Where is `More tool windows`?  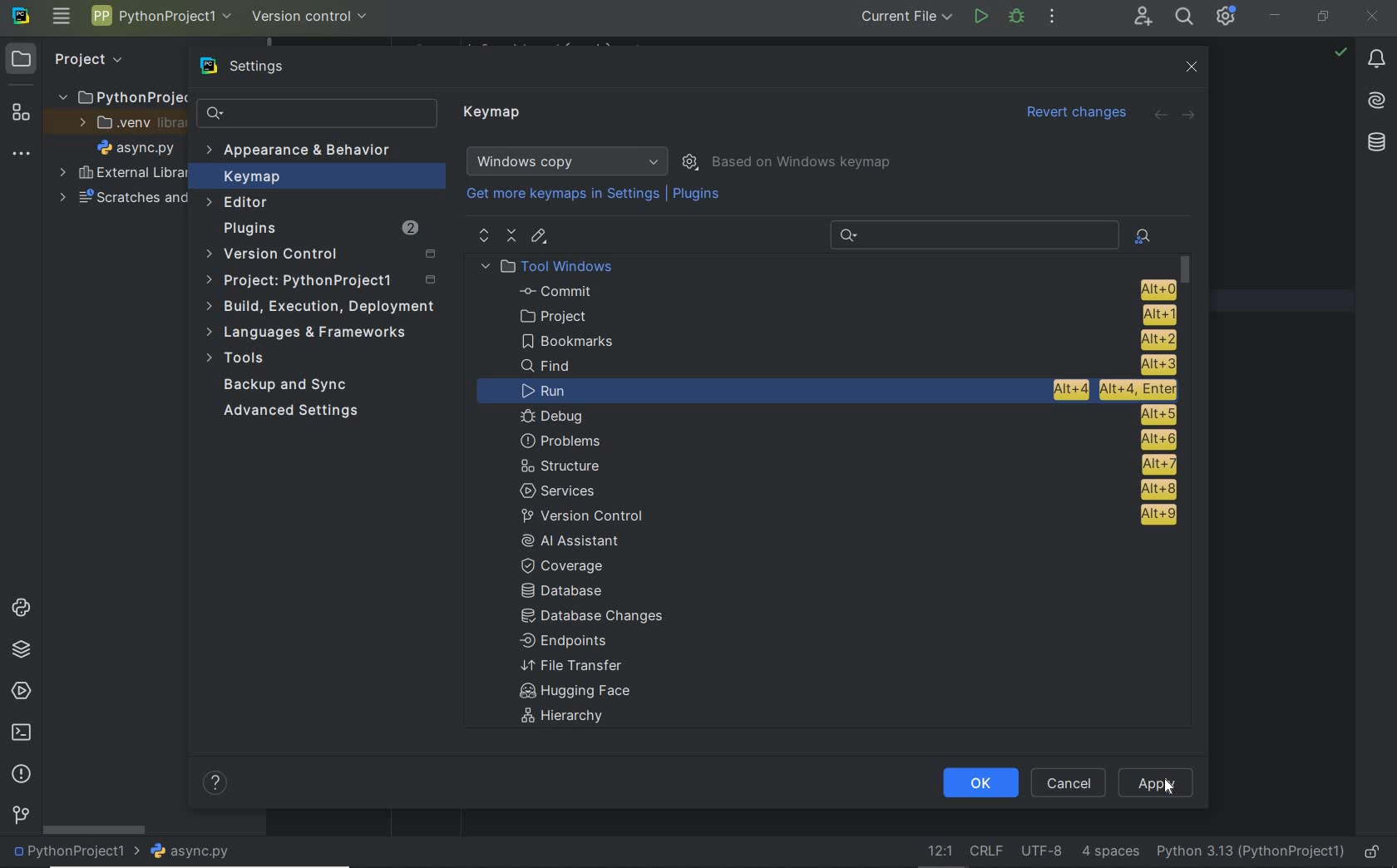
More tool windows is located at coordinates (22, 150).